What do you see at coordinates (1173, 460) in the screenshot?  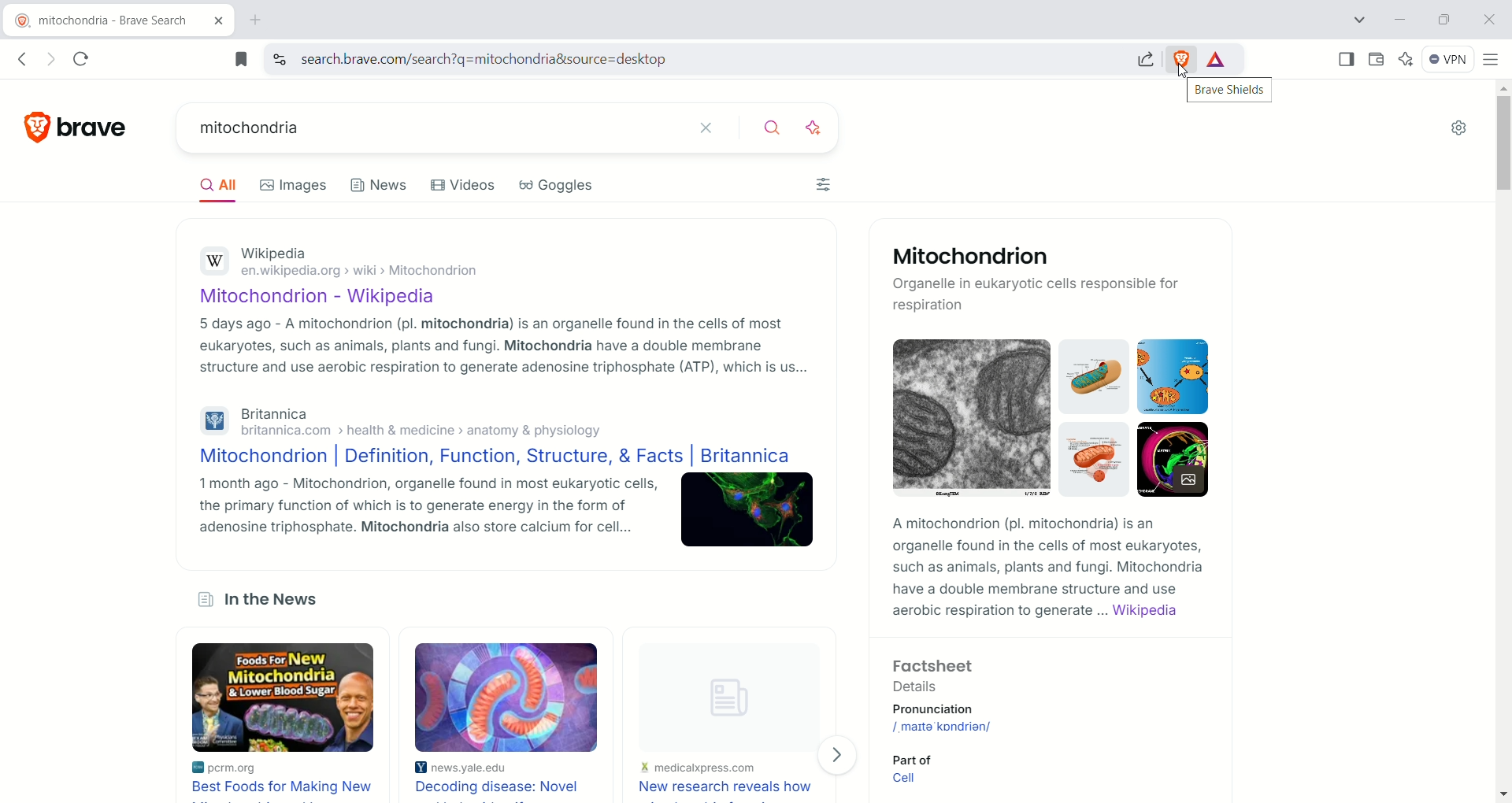 I see `Image` at bounding box center [1173, 460].